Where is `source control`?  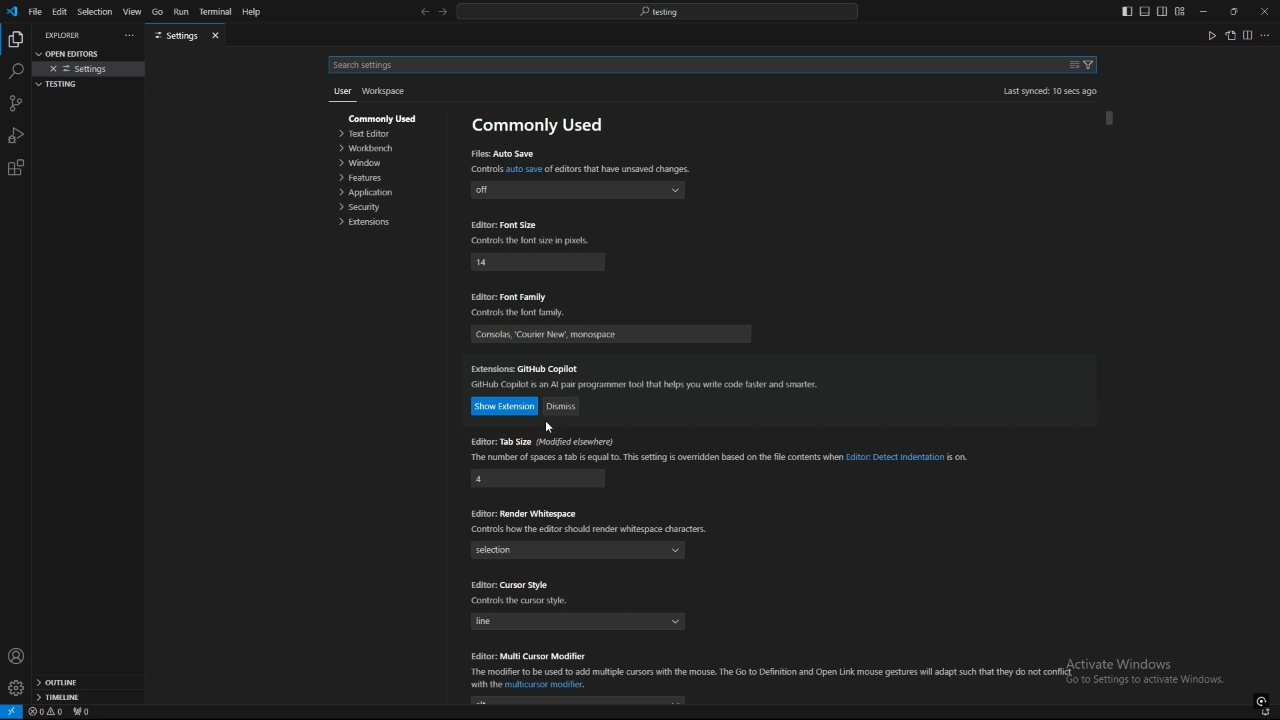
source control is located at coordinates (15, 103).